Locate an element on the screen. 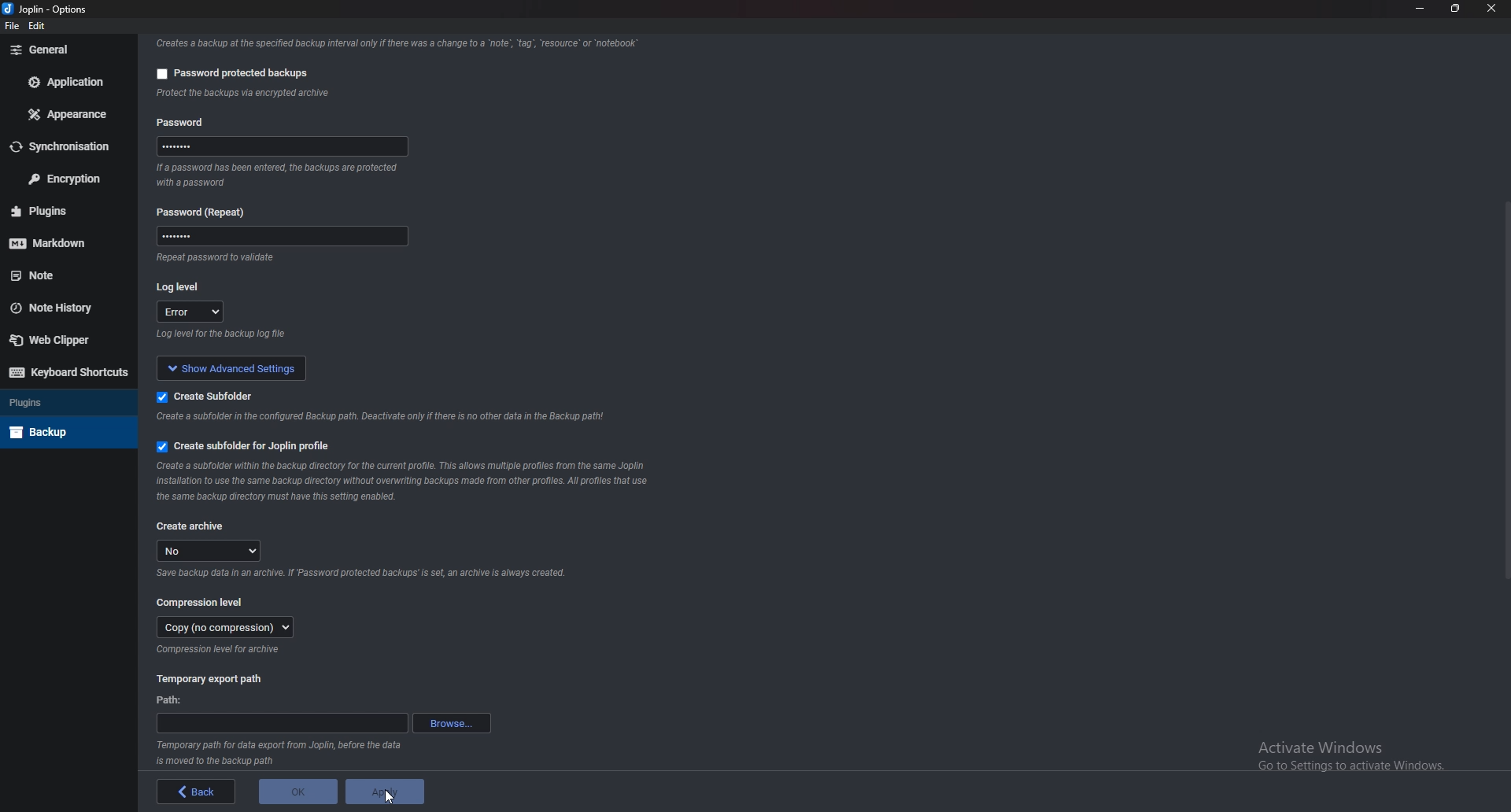 The height and width of the screenshot is (812, 1511). password (repeat) is located at coordinates (207, 212).